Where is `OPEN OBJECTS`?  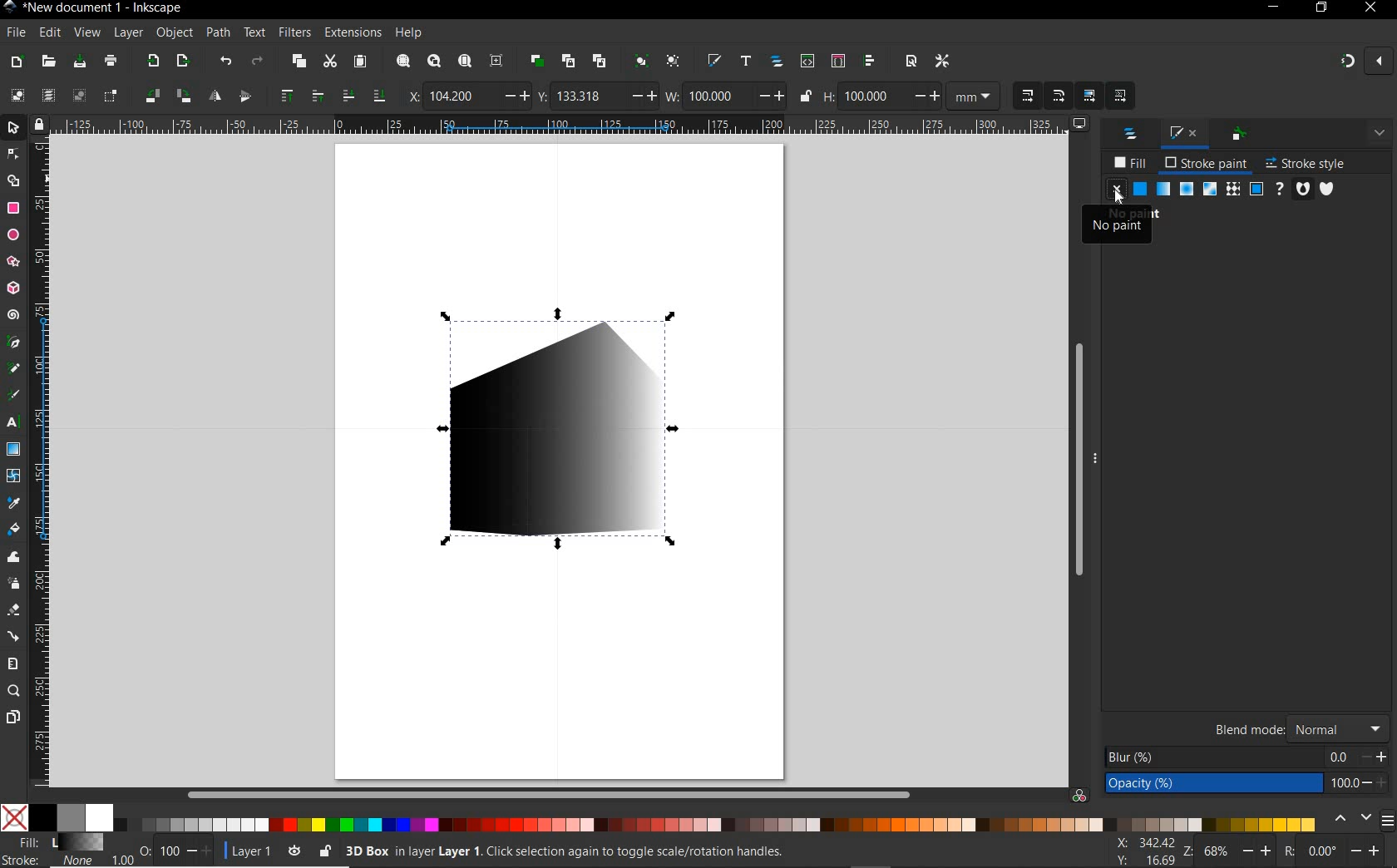 OPEN OBJECTS is located at coordinates (777, 62).